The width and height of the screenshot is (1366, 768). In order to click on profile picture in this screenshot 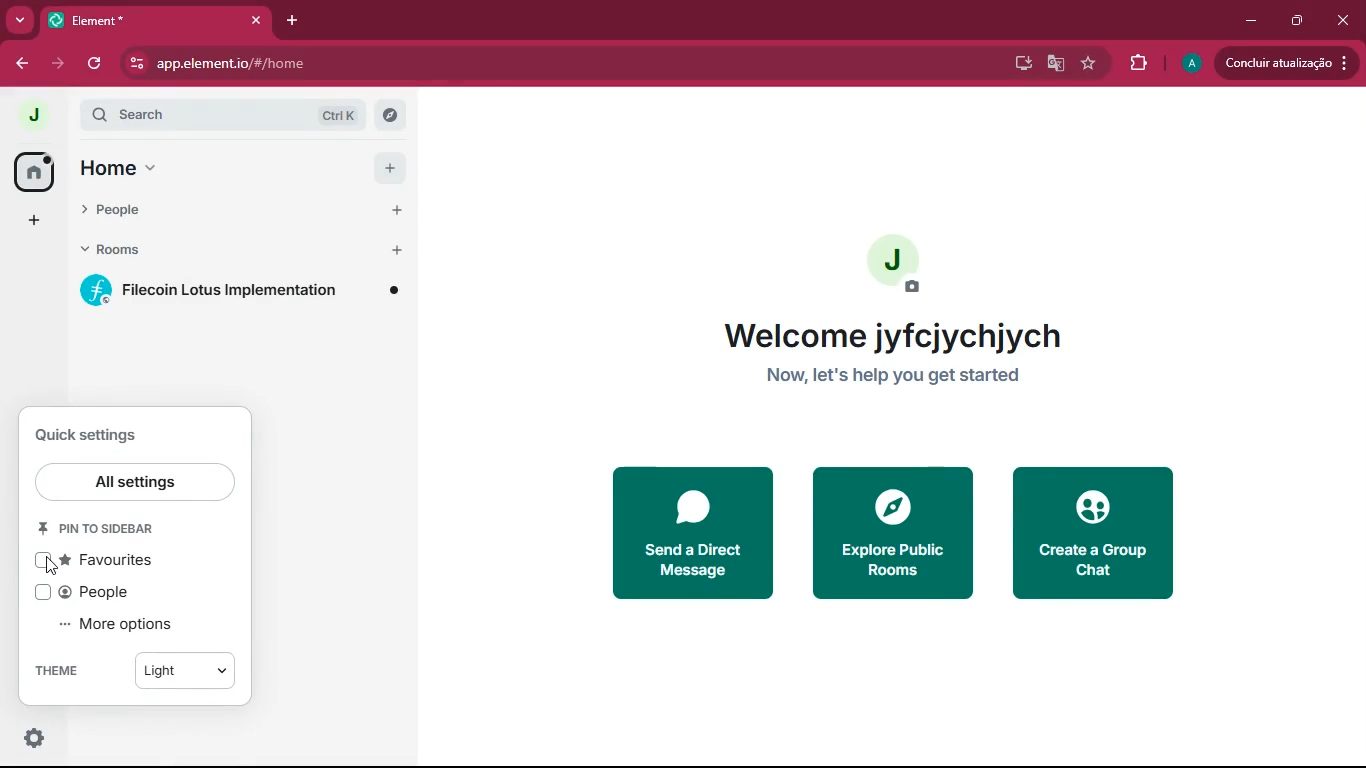, I will do `click(894, 262)`.